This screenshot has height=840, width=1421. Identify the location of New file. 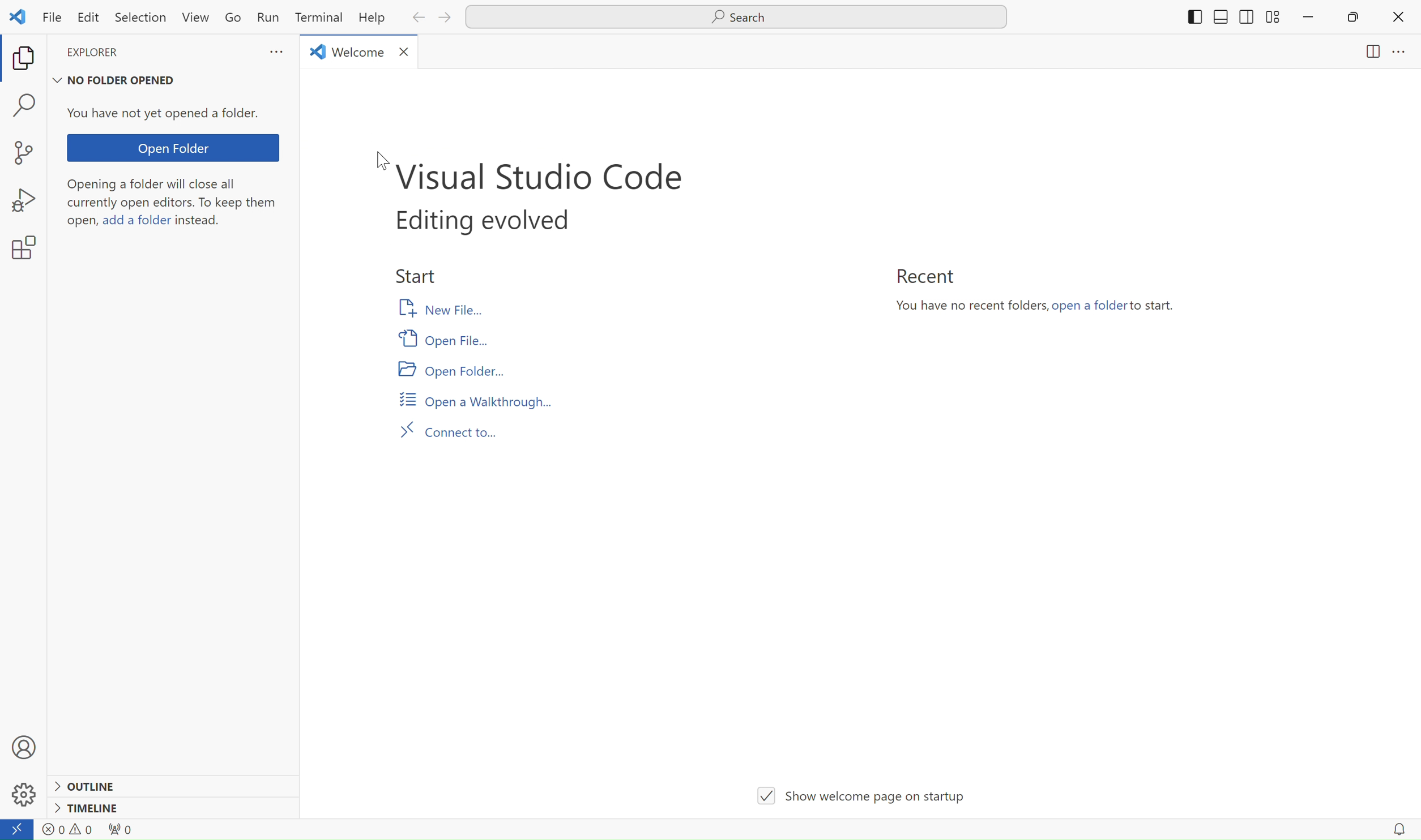
(436, 308).